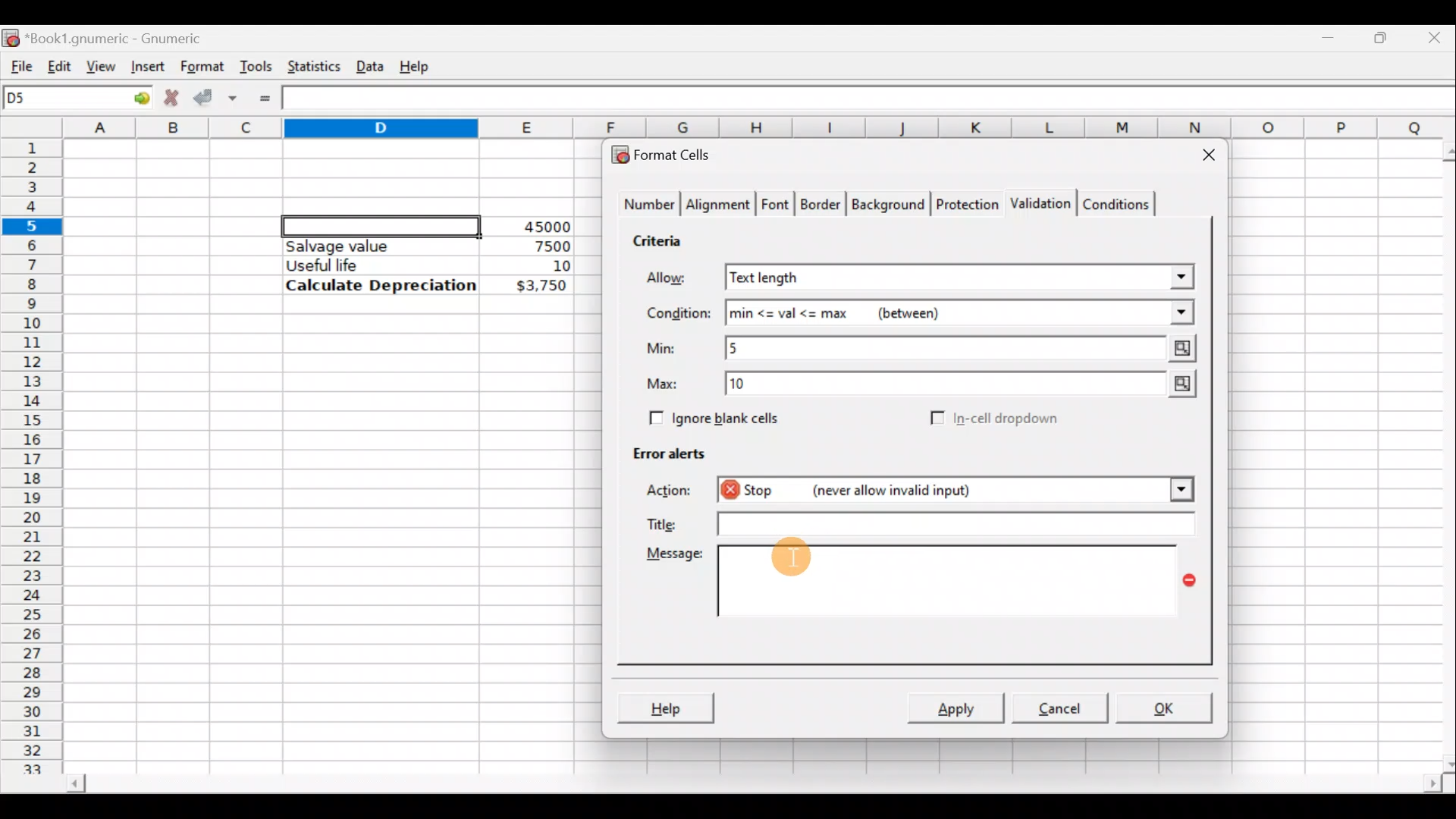 The height and width of the screenshot is (819, 1456). I want to click on Max value = 10, so click(965, 387).